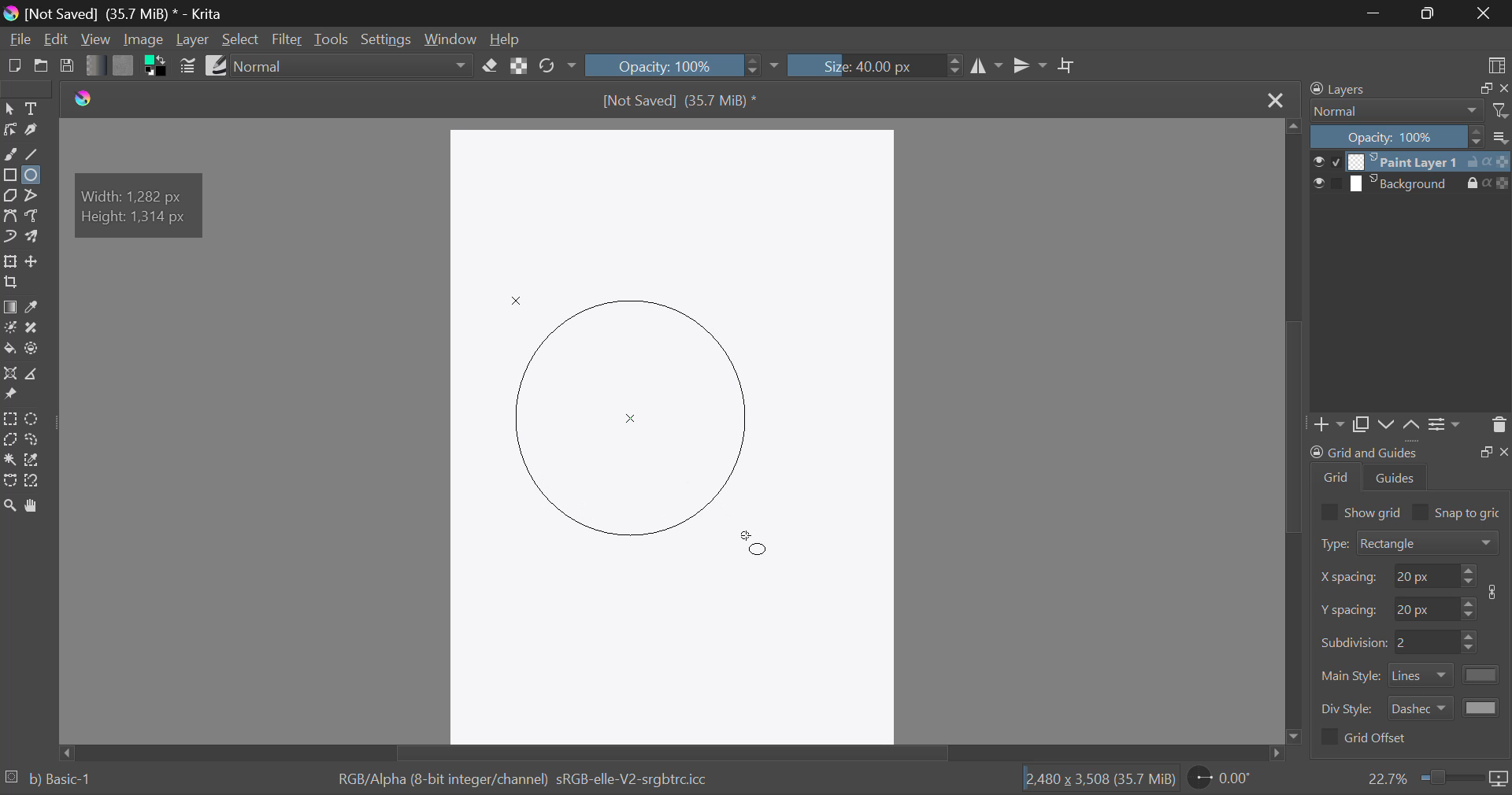 This screenshot has width=1512, height=795. I want to click on Horizontal Mirror Flip, so click(1031, 65).